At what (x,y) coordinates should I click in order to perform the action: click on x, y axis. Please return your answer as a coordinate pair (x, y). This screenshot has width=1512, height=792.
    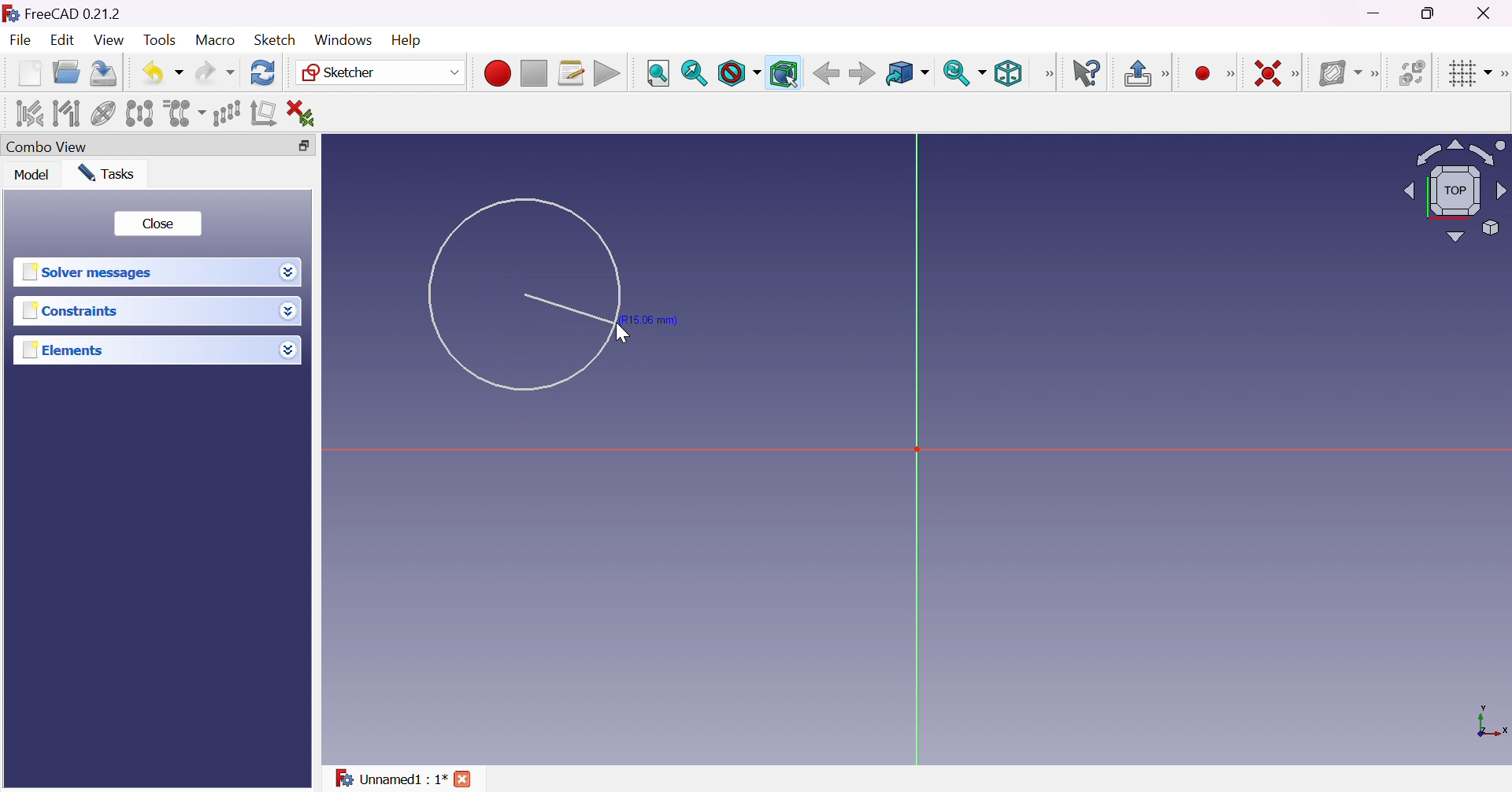
    Looking at the image, I should click on (1490, 723).